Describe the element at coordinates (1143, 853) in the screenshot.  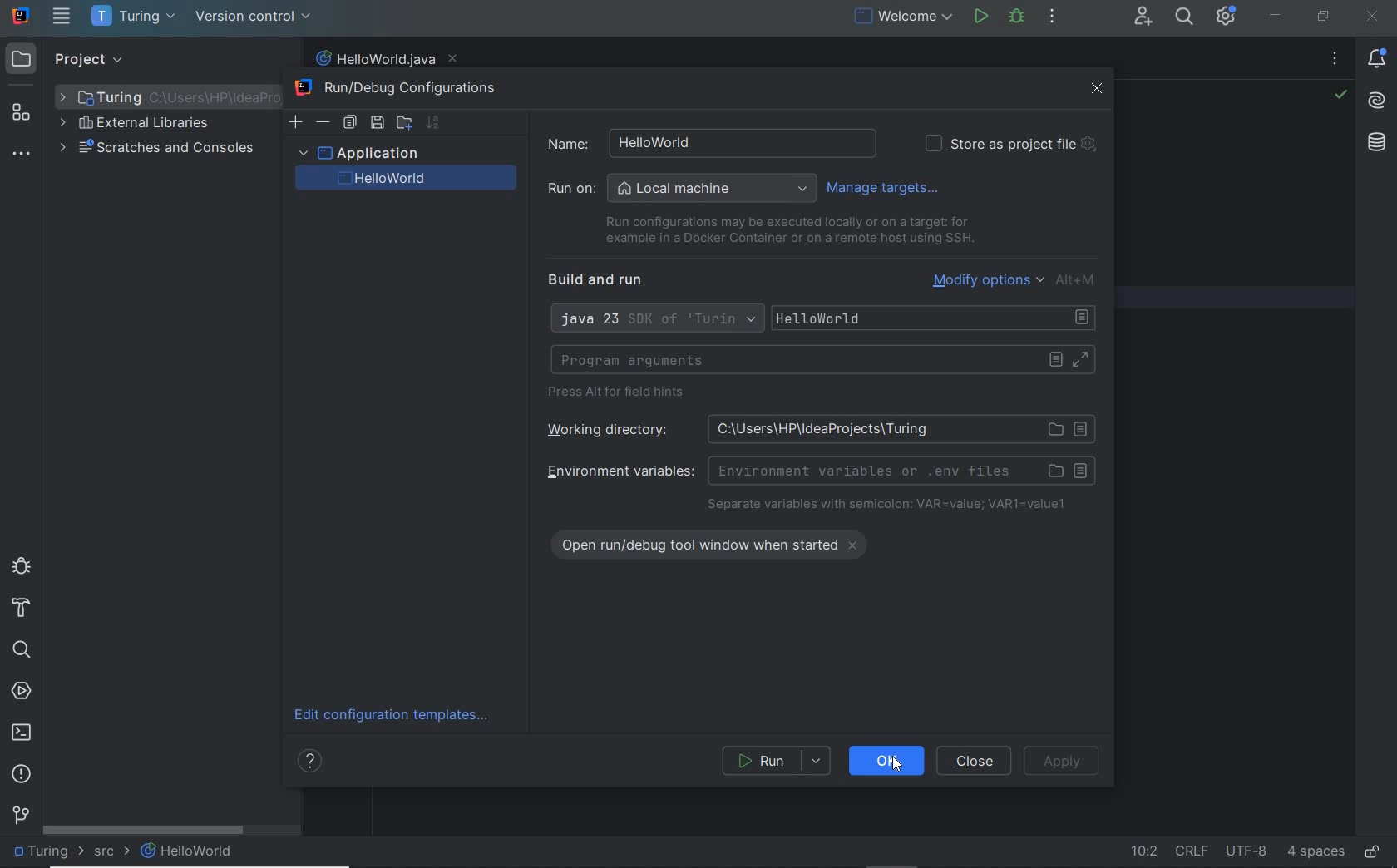
I see `go to line` at that location.